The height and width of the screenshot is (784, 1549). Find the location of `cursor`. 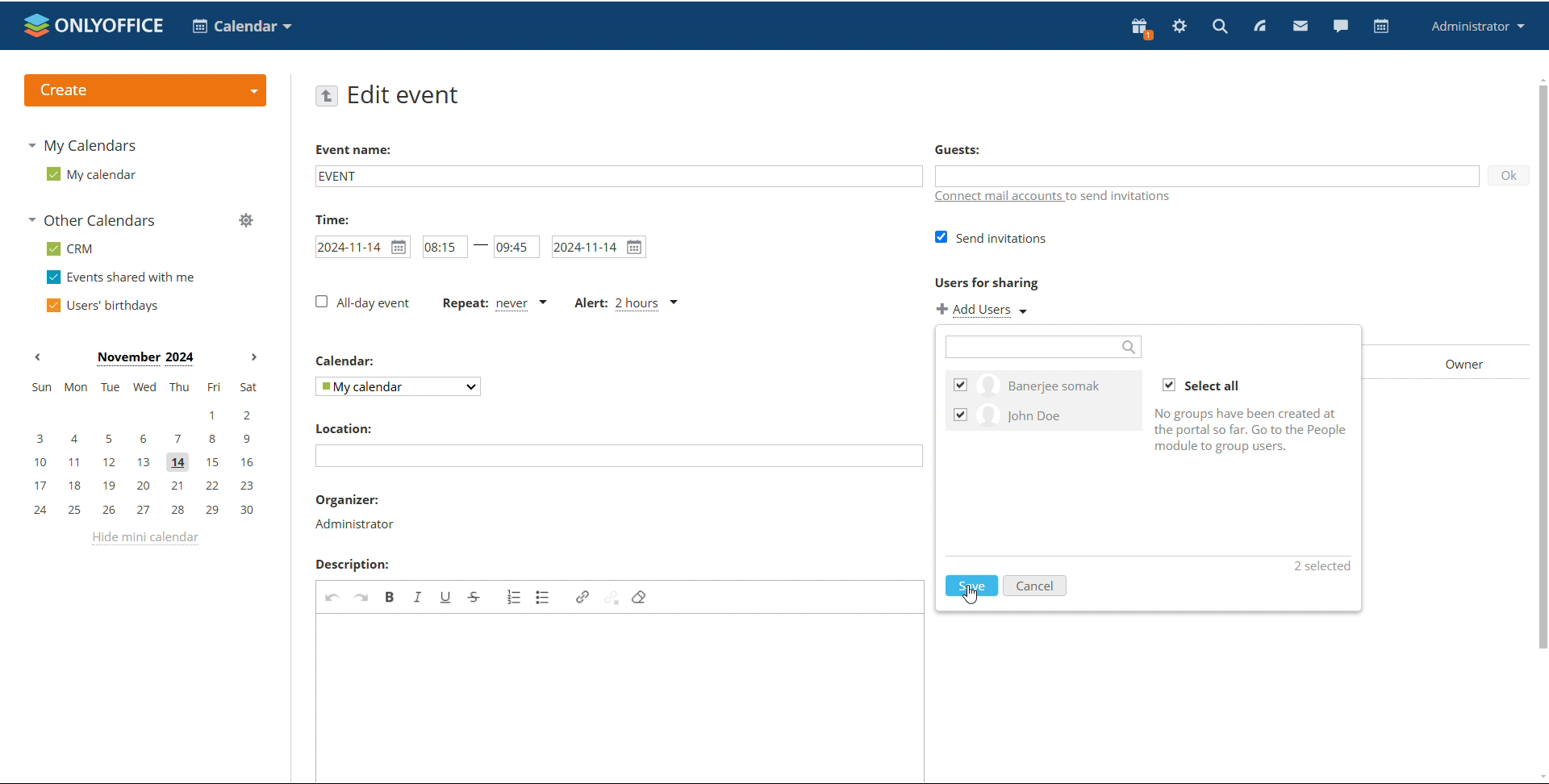

cursor is located at coordinates (971, 595).